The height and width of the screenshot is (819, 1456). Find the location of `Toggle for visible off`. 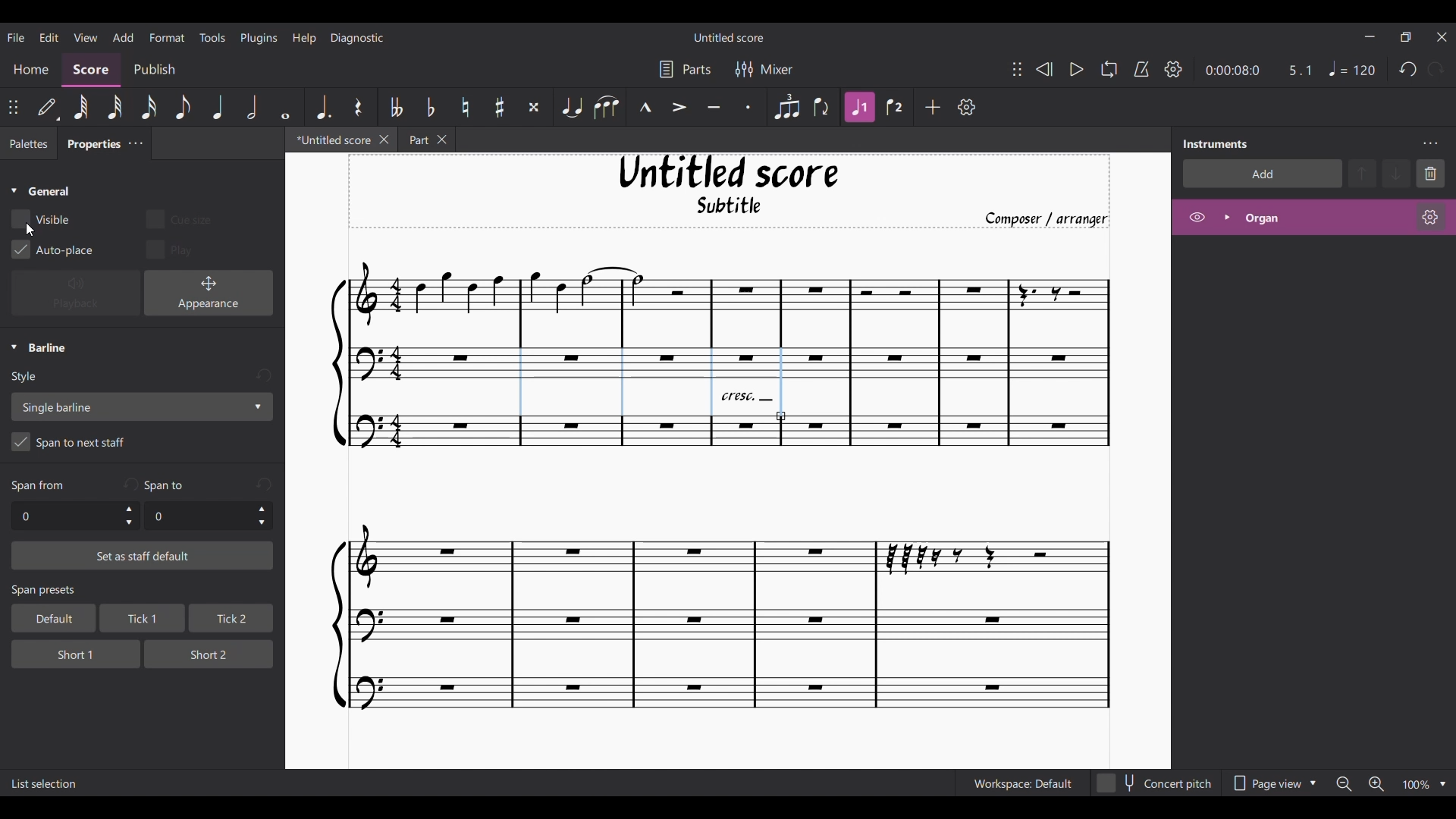

Toggle for visible off is located at coordinates (40, 219).